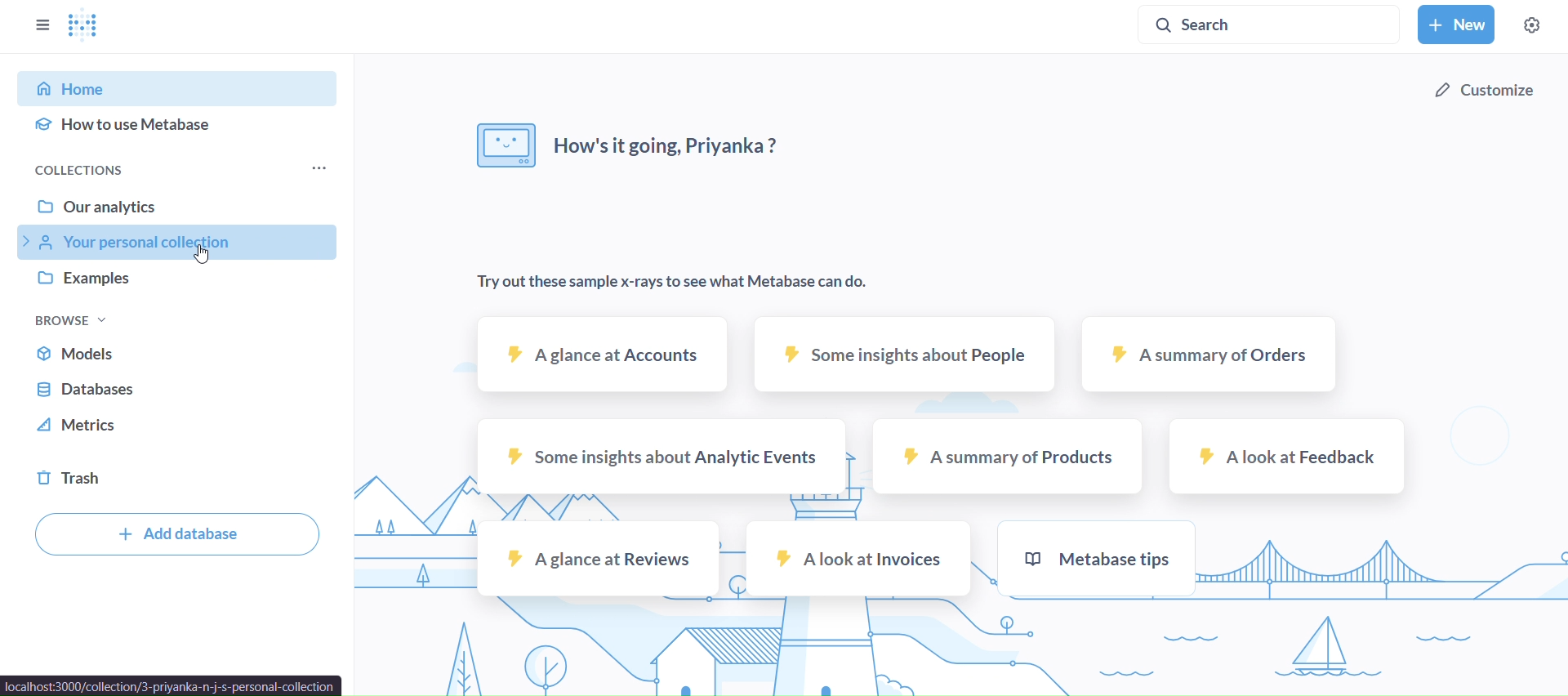  What do you see at coordinates (70, 321) in the screenshot?
I see `browse` at bounding box center [70, 321].